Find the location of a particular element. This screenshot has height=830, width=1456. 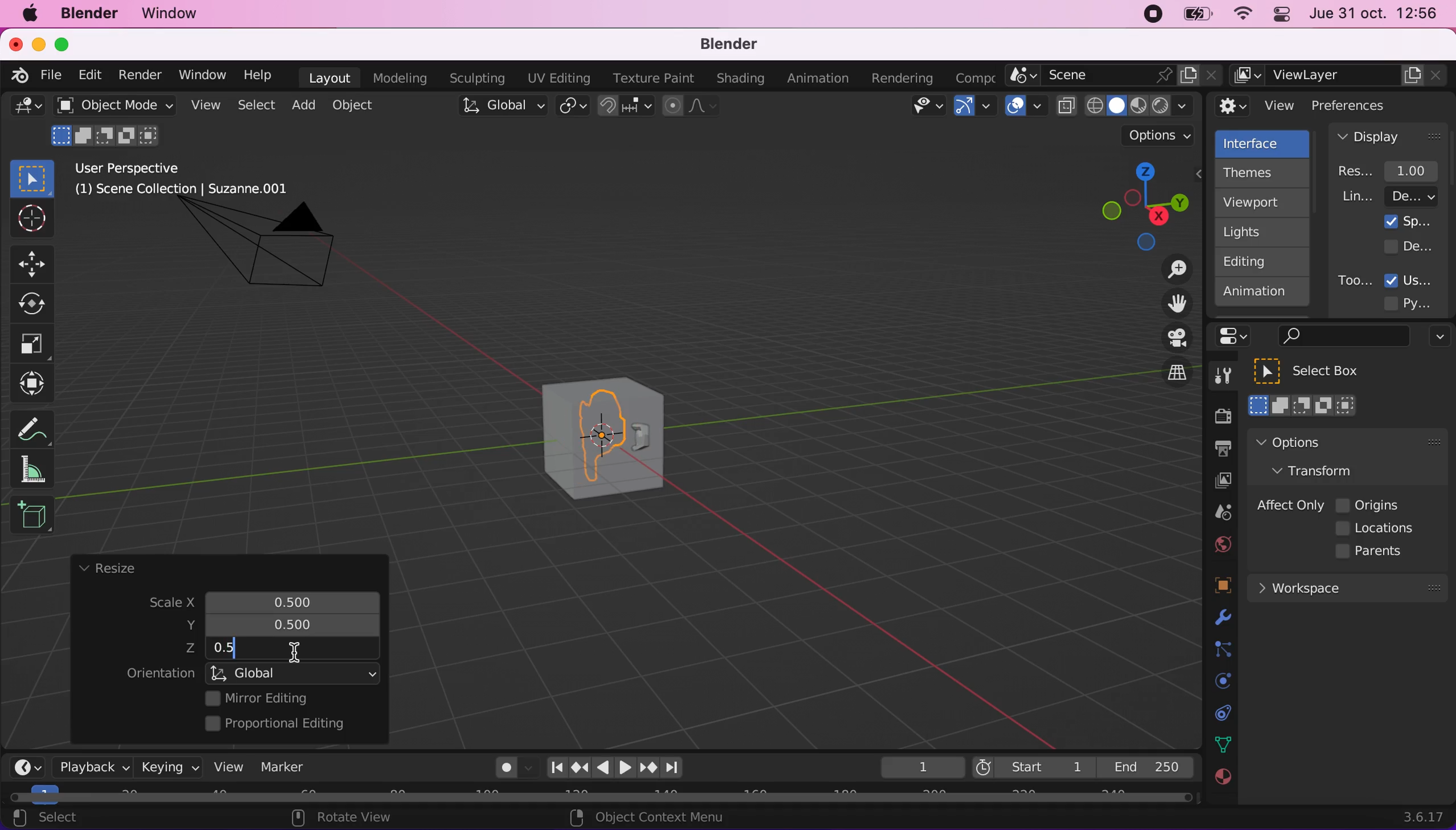

add is located at coordinates (301, 105).